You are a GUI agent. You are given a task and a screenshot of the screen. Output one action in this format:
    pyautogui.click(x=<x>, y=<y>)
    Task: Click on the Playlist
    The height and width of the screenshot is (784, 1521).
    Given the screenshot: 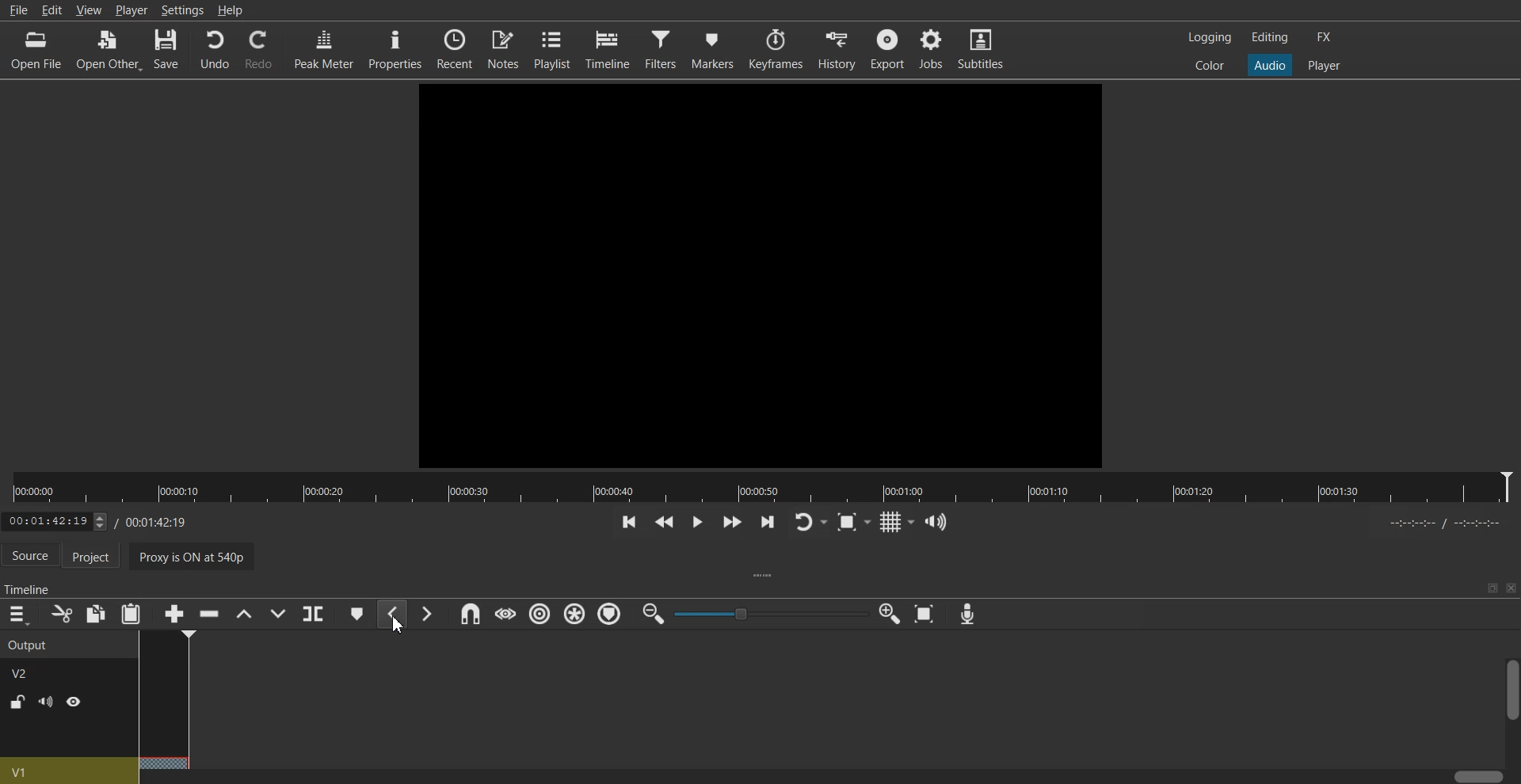 What is the action you would take?
    pyautogui.click(x=554, y=49)
    